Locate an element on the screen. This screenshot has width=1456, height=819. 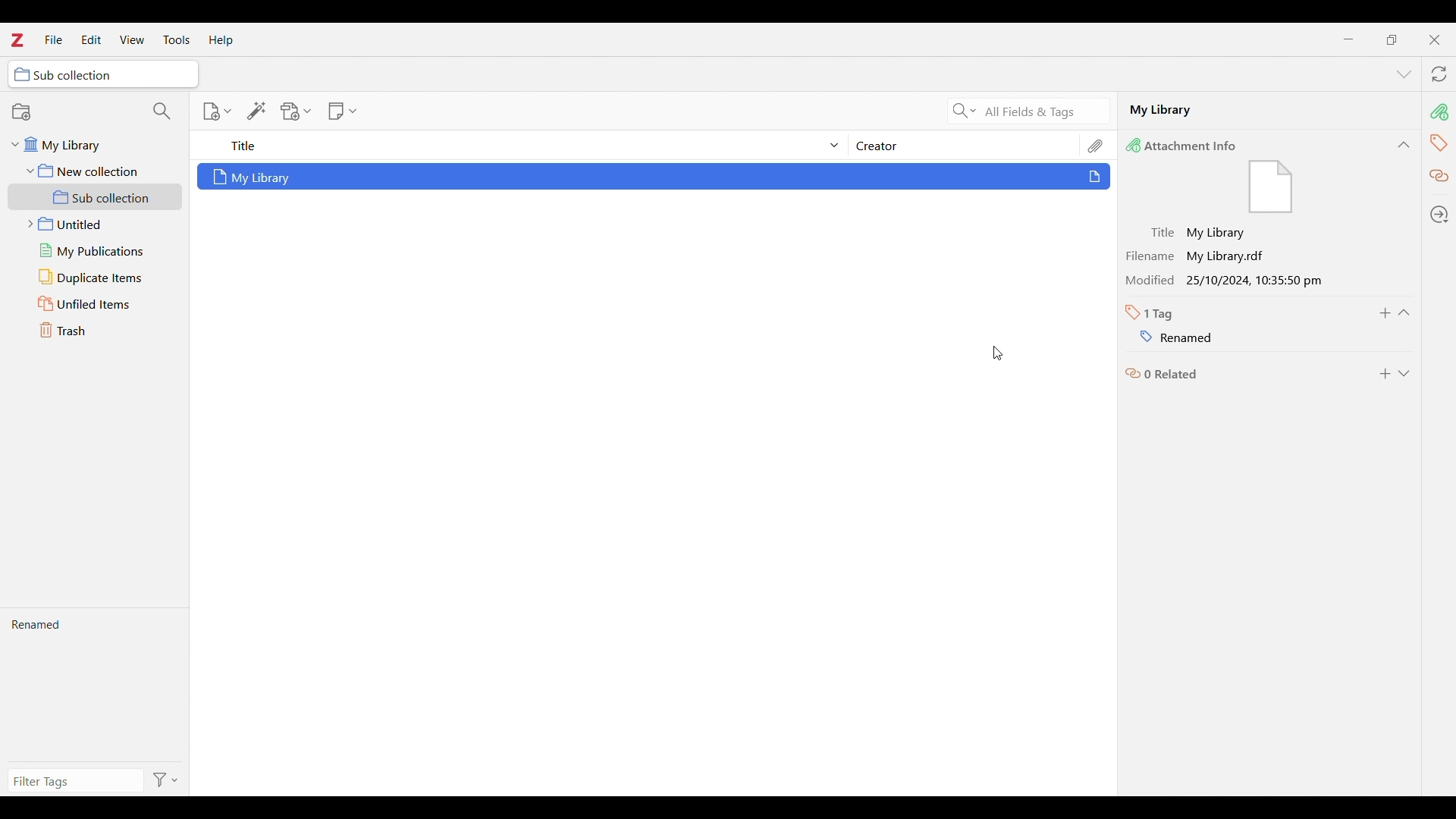
Name suggestions  is located at coordinates (1287, 310).